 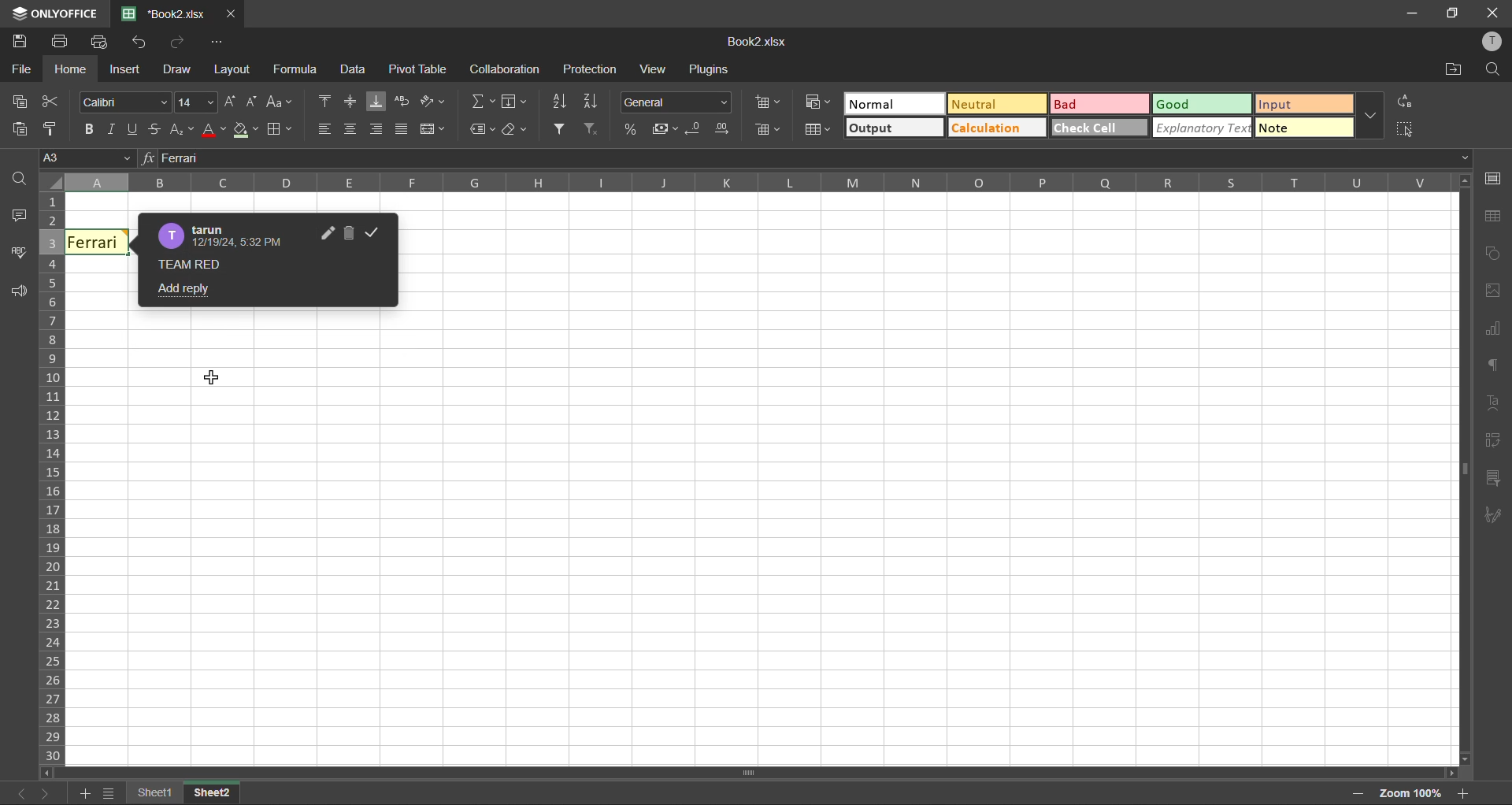 I want to click on sort ascending, so click(x=560, y=102).